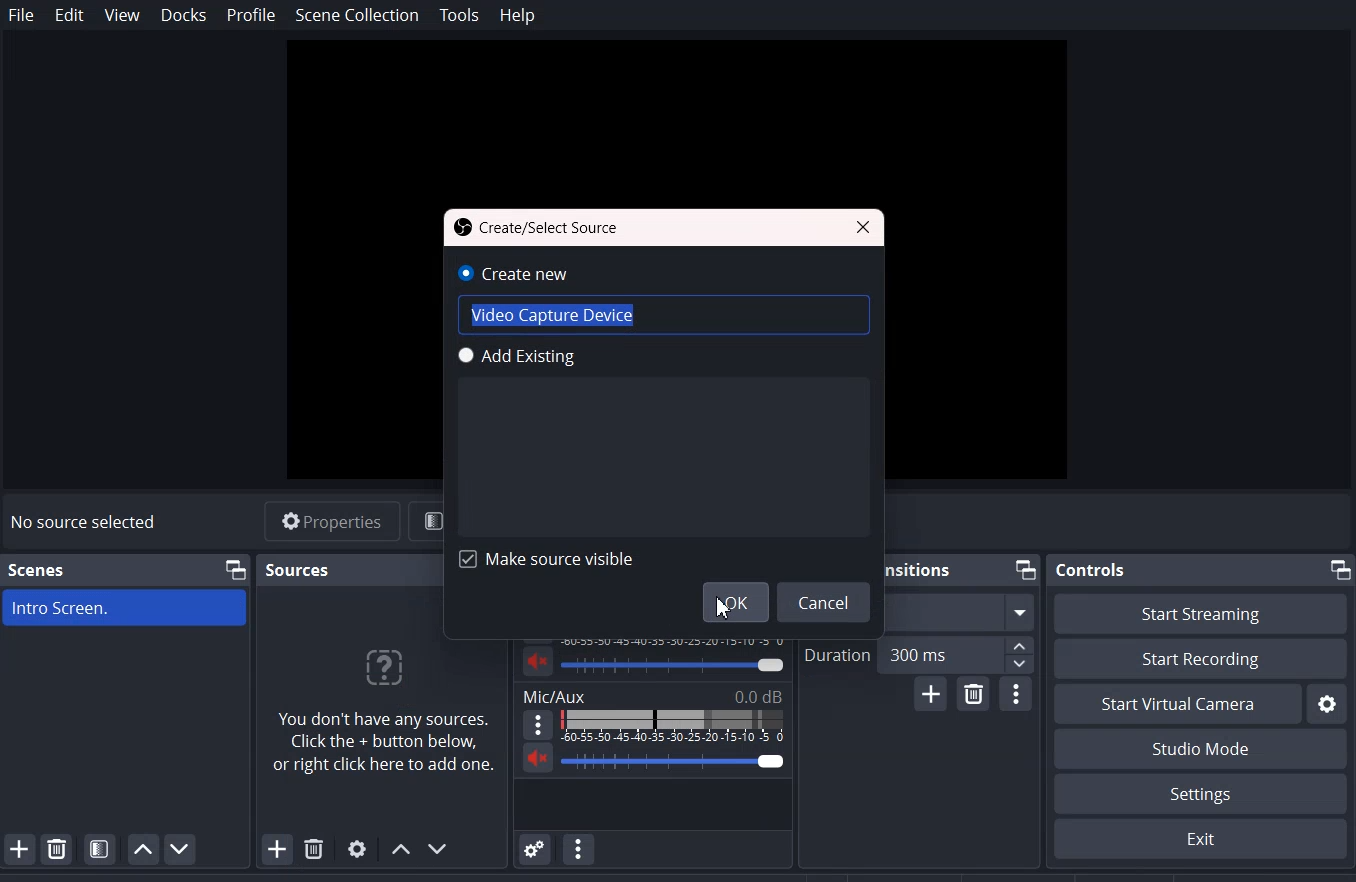  What do you see at coordinates (675, 639) in the screenshot?
I see `Volume Indicator` at bounding box center [675, 639].